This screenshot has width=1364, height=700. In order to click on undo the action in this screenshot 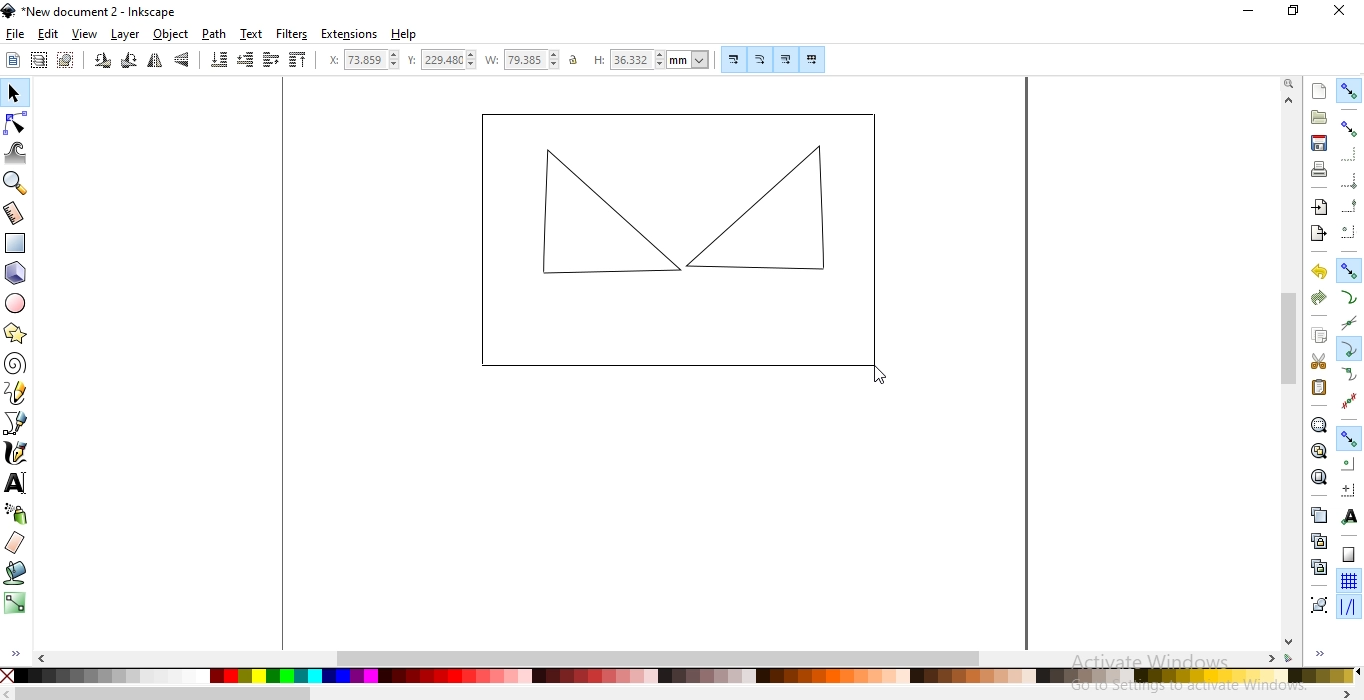, I will do `click(1317, 272)`.